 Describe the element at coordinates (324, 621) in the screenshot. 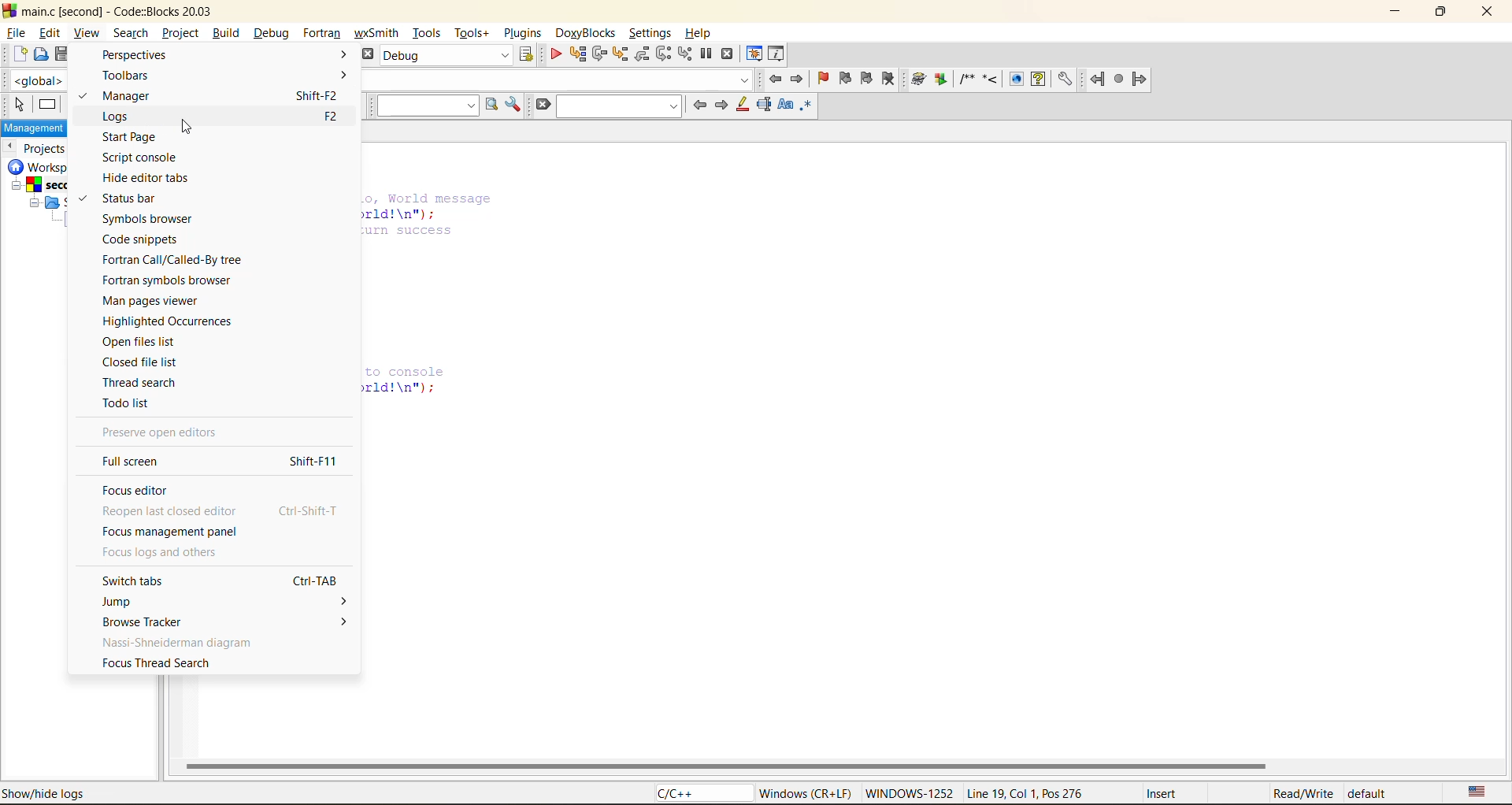

I see `>` at that location.